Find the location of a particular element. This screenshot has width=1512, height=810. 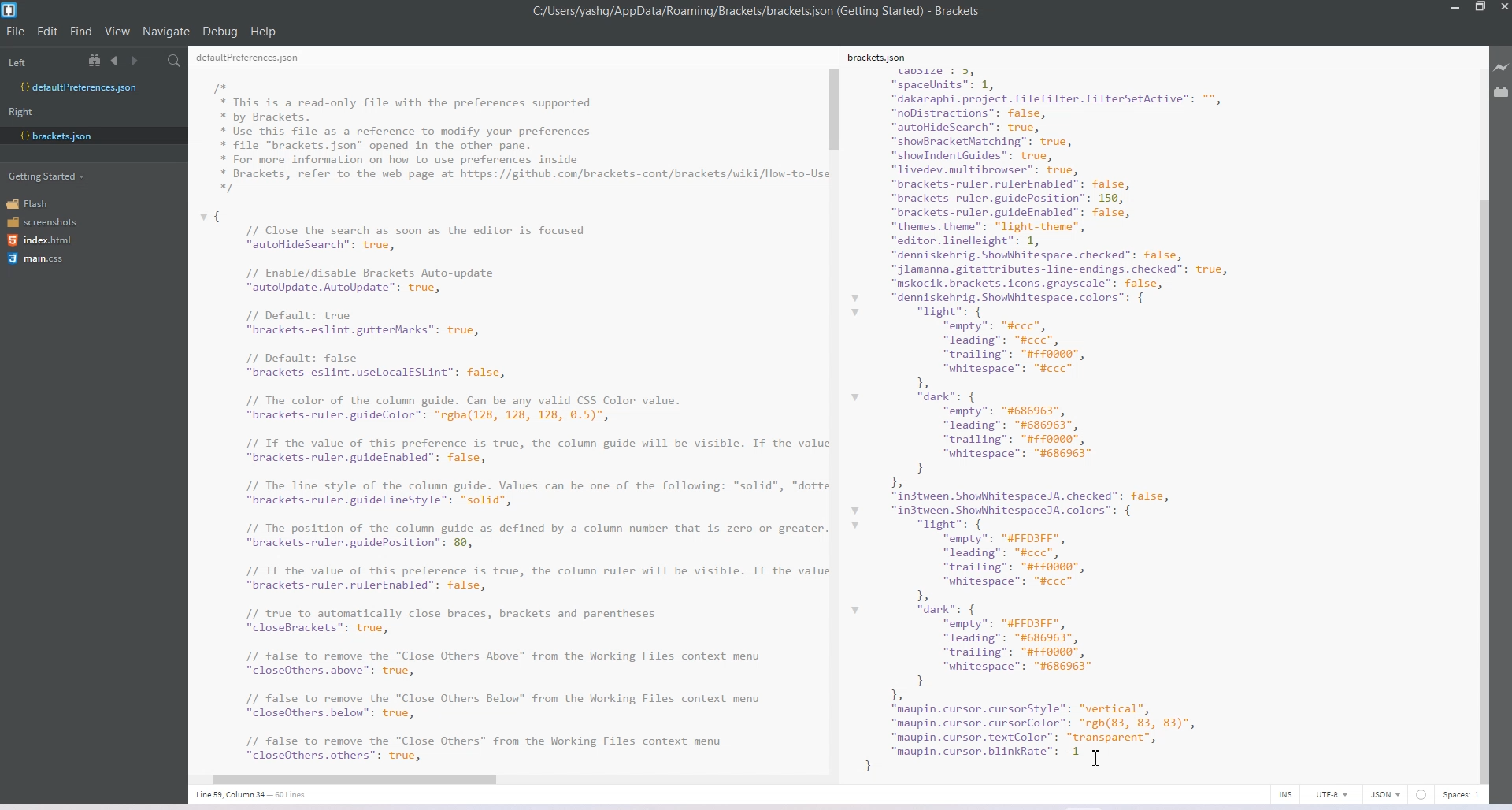

Maximize is located at coordinates (1480, 8).